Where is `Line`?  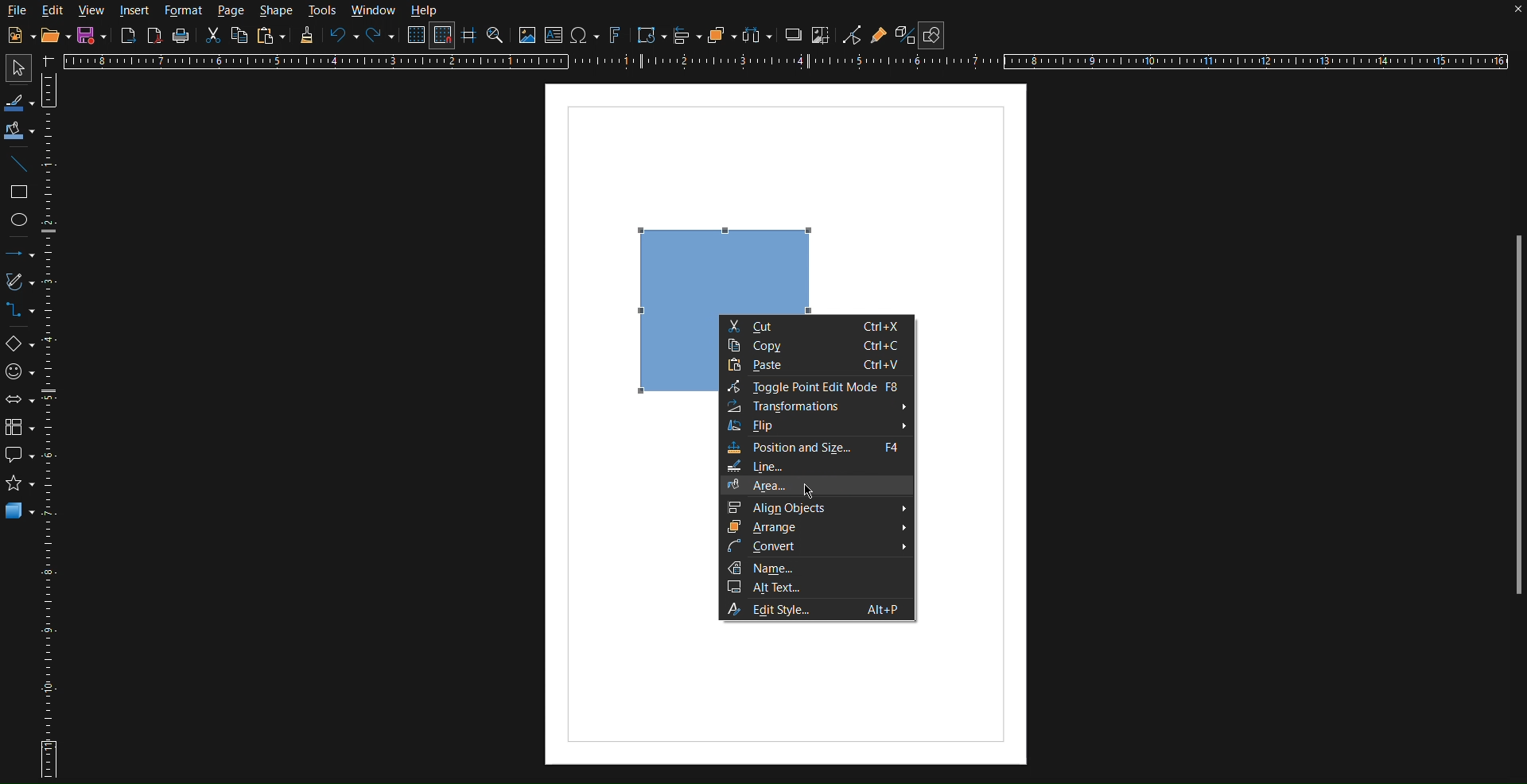 Line is located at coordinates (815, 466).